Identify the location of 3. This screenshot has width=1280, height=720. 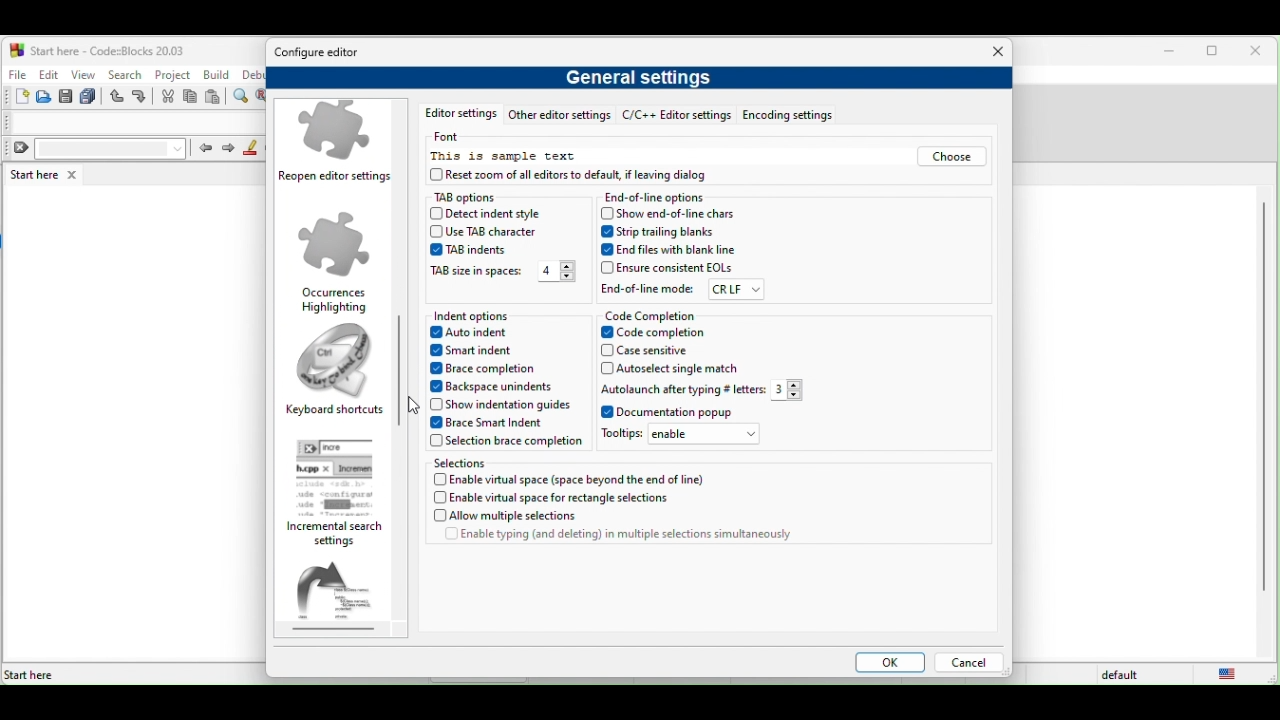
(793, 390).